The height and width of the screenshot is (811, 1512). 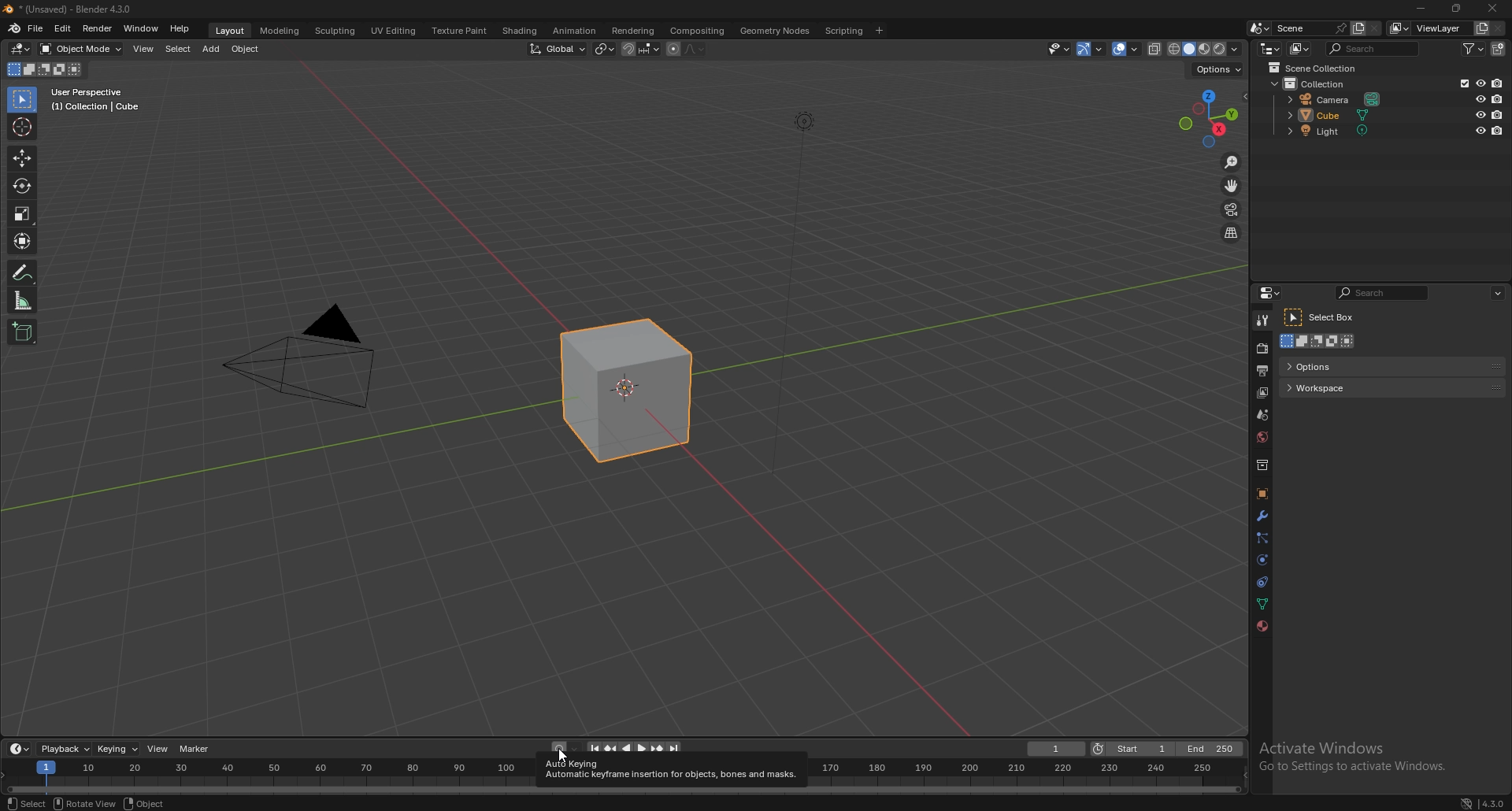 I want to click on options, so click(x=1218, y=69).